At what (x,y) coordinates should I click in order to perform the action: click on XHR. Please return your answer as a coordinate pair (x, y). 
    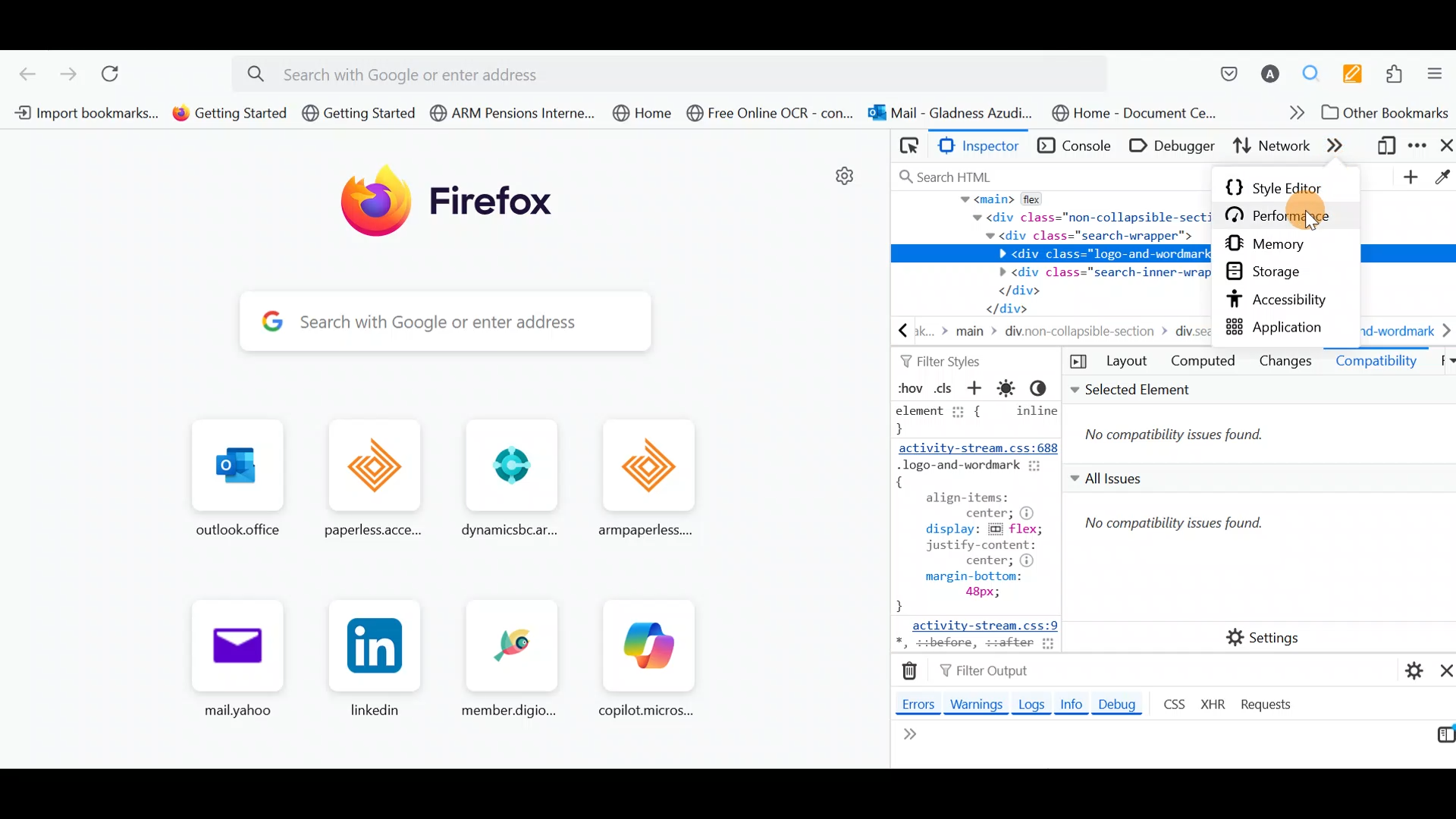
    Looking at the image, I should click on (1216, 703).